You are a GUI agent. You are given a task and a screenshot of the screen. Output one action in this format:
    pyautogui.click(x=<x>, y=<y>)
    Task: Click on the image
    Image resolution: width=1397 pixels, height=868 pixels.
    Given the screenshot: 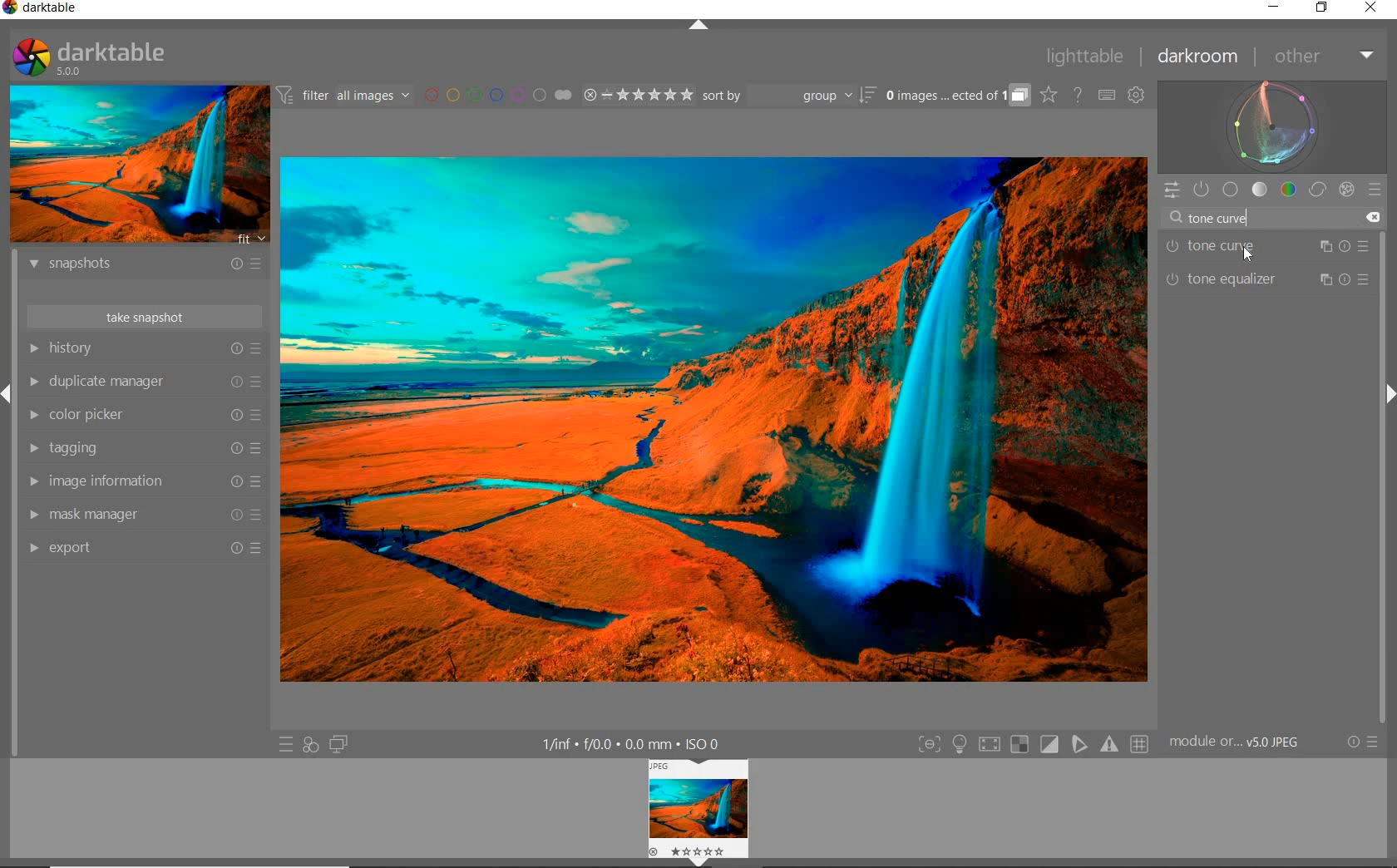 What is the action you would take?
    pyautogui.click(x=696, y=807)
    